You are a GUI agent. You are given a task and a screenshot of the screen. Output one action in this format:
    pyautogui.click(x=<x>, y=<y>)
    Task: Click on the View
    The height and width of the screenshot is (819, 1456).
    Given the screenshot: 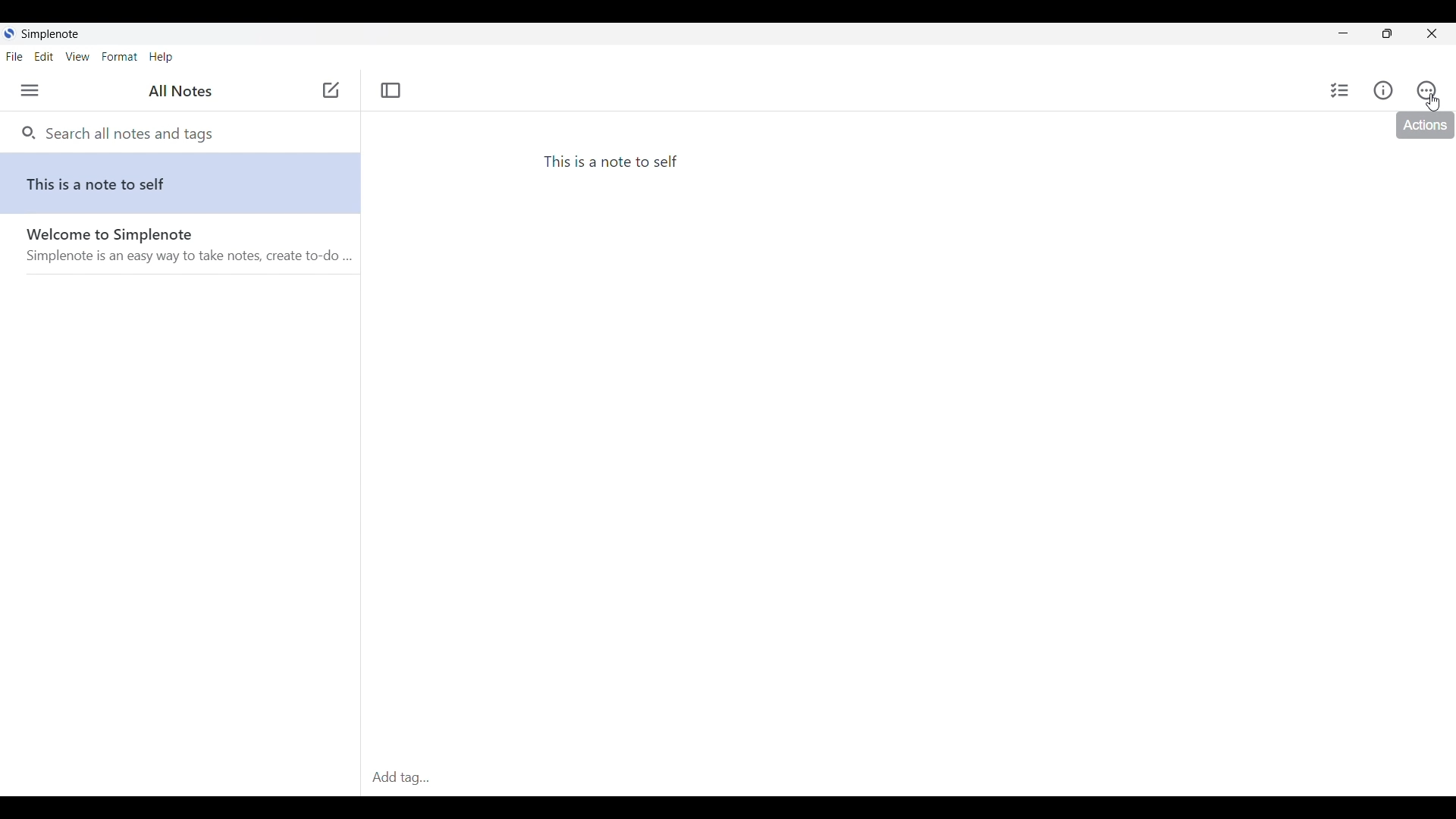 What is the action you would take?
    pyautogui.click(x=77, y=57)
    